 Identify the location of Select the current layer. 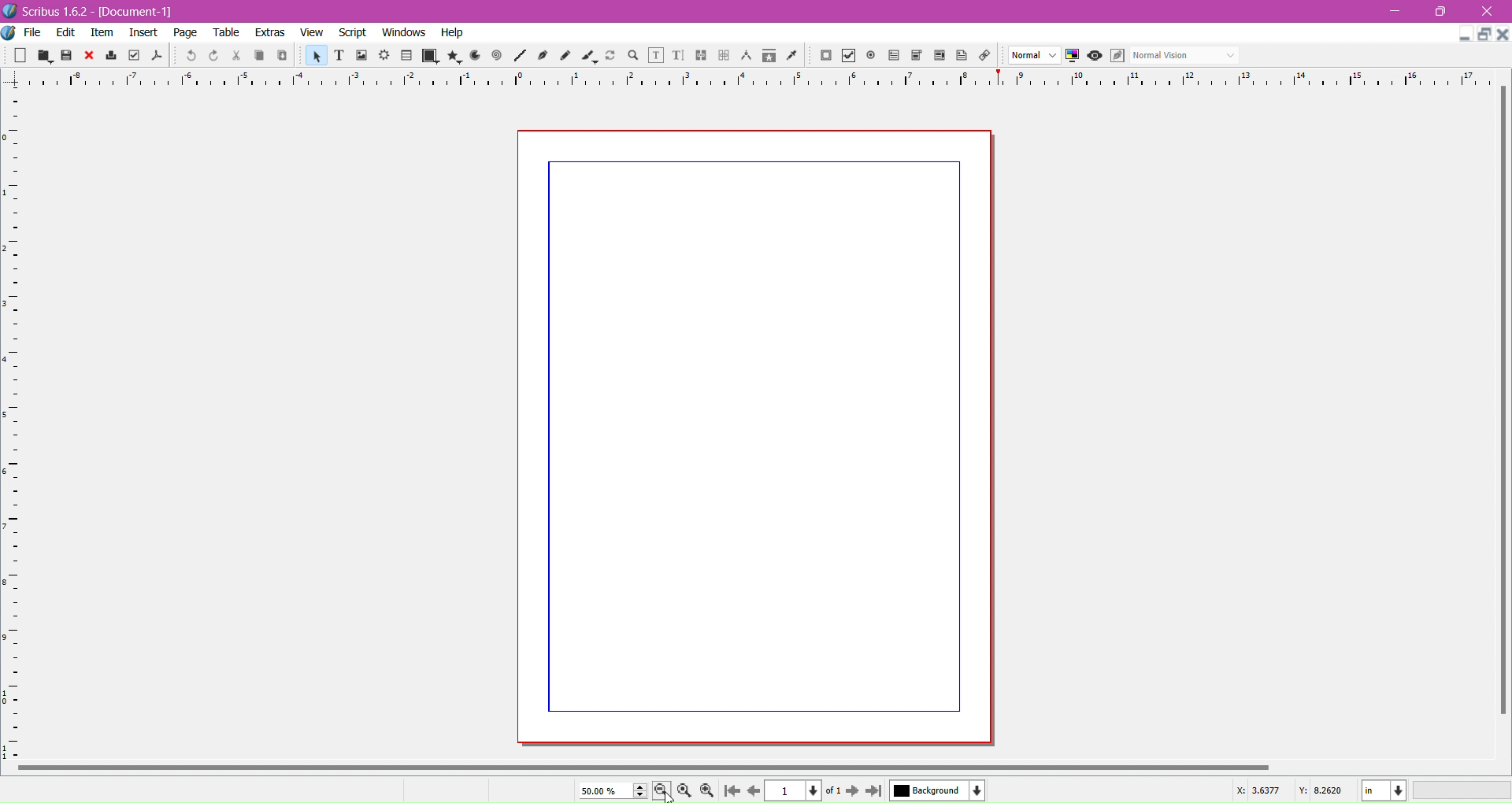
(938, 790).